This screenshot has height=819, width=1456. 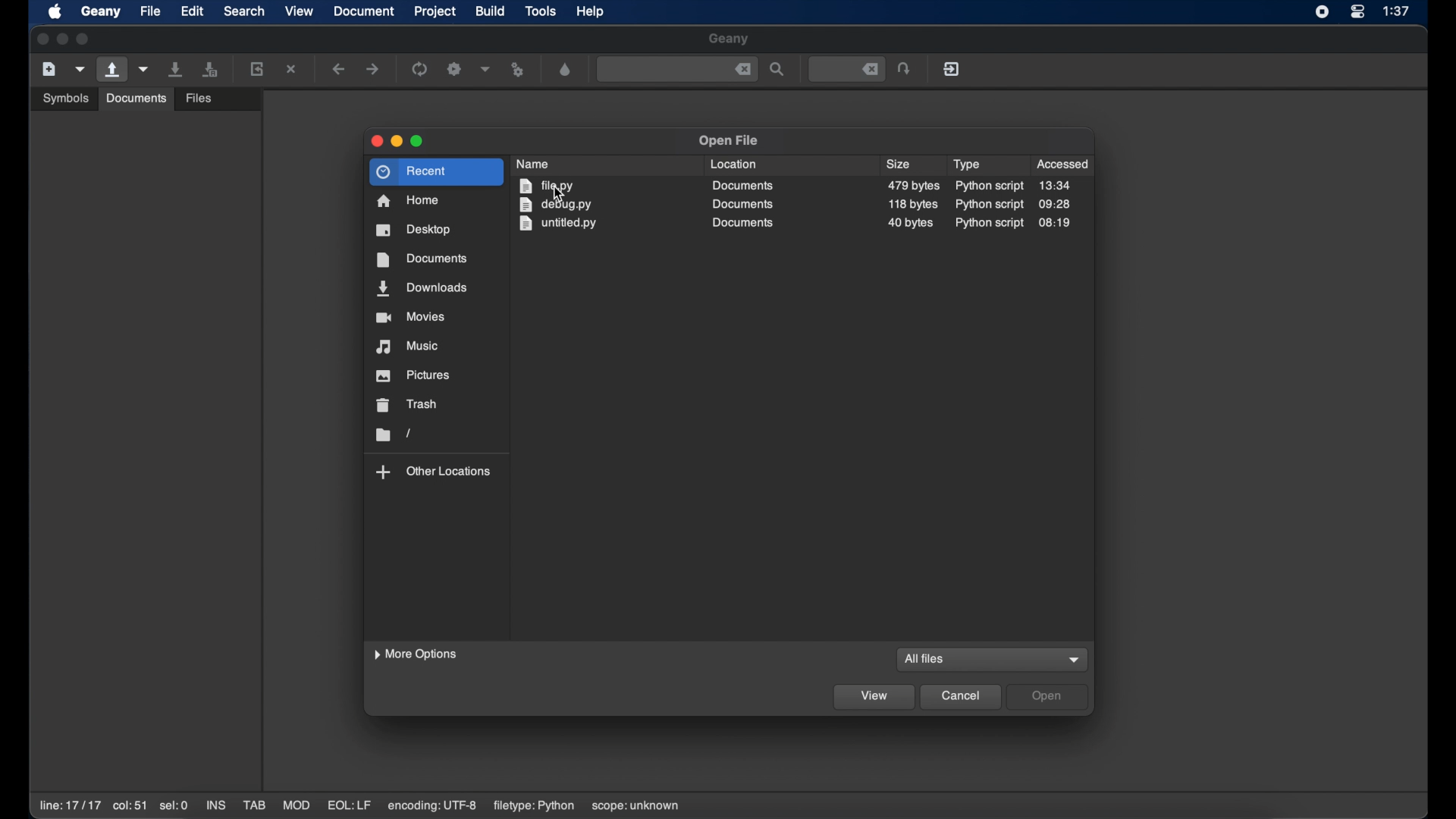 I want to click on jump to the entered line number, so click(x=846, y=68).